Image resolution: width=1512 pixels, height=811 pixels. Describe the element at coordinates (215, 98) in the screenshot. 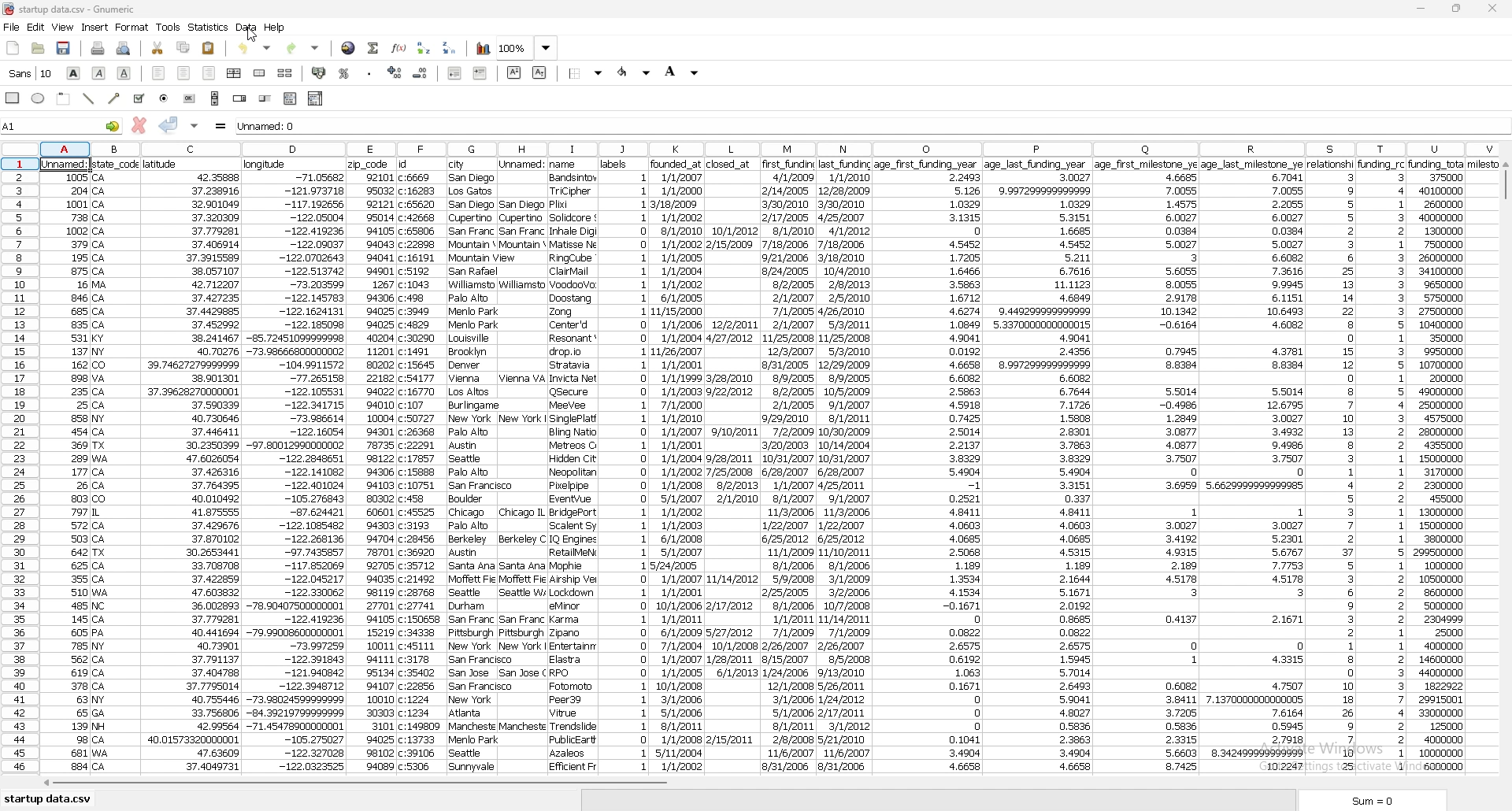

I see `scroll bar` at that location.